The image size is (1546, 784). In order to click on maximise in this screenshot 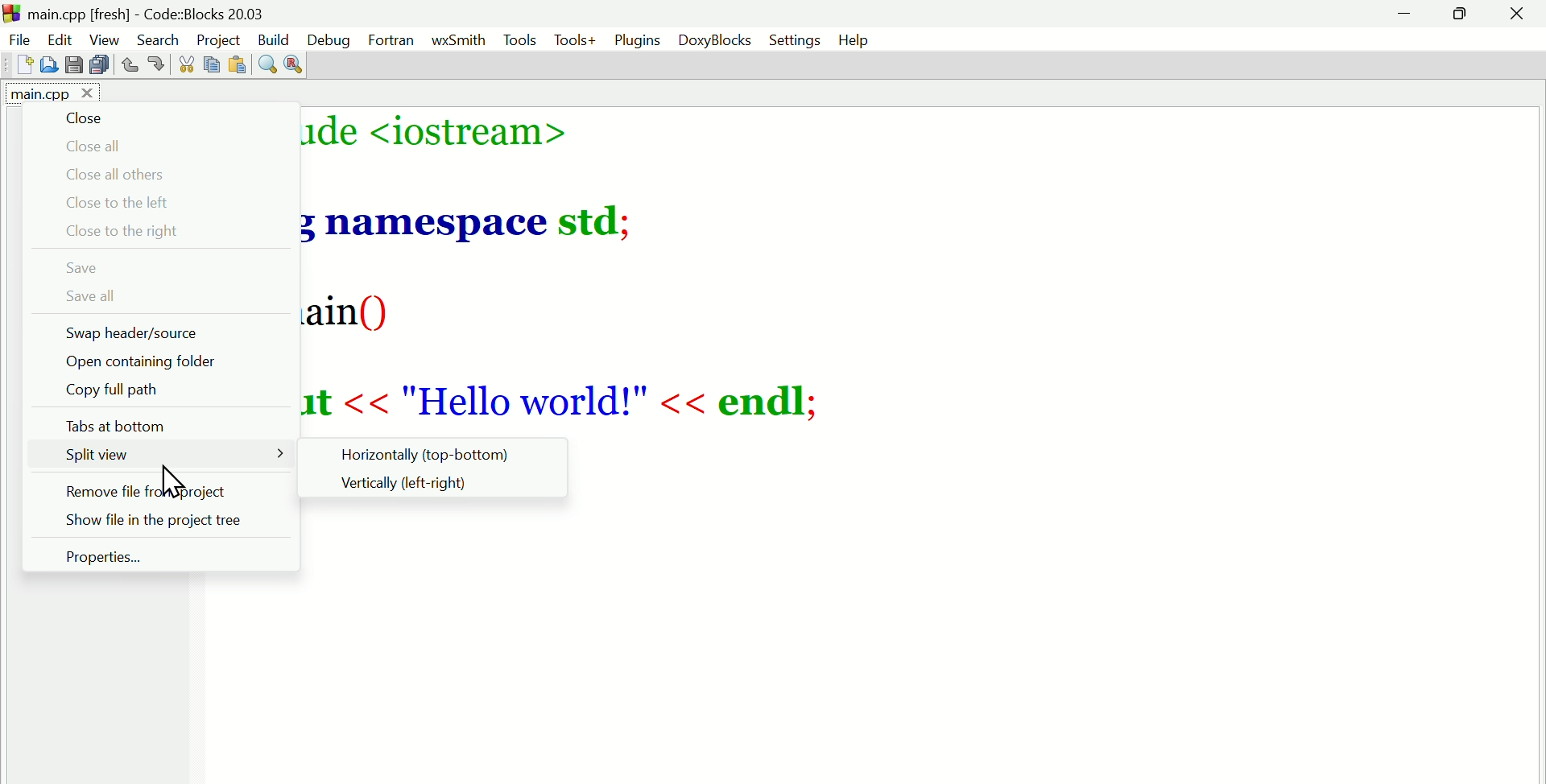, I will do `click(1463, 15)`.